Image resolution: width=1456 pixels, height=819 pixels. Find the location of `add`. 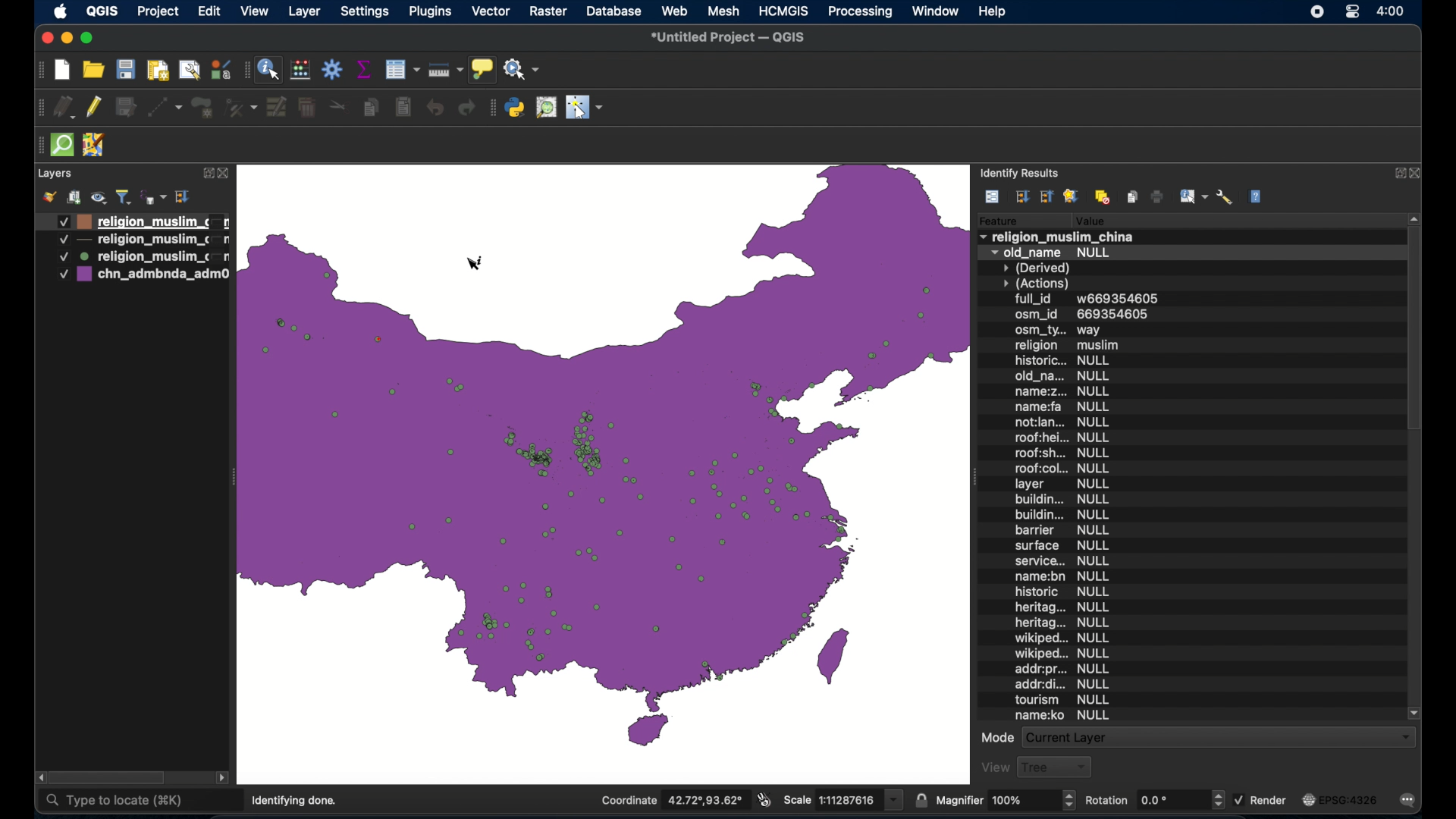

add is located at coordinates (1060, 668).